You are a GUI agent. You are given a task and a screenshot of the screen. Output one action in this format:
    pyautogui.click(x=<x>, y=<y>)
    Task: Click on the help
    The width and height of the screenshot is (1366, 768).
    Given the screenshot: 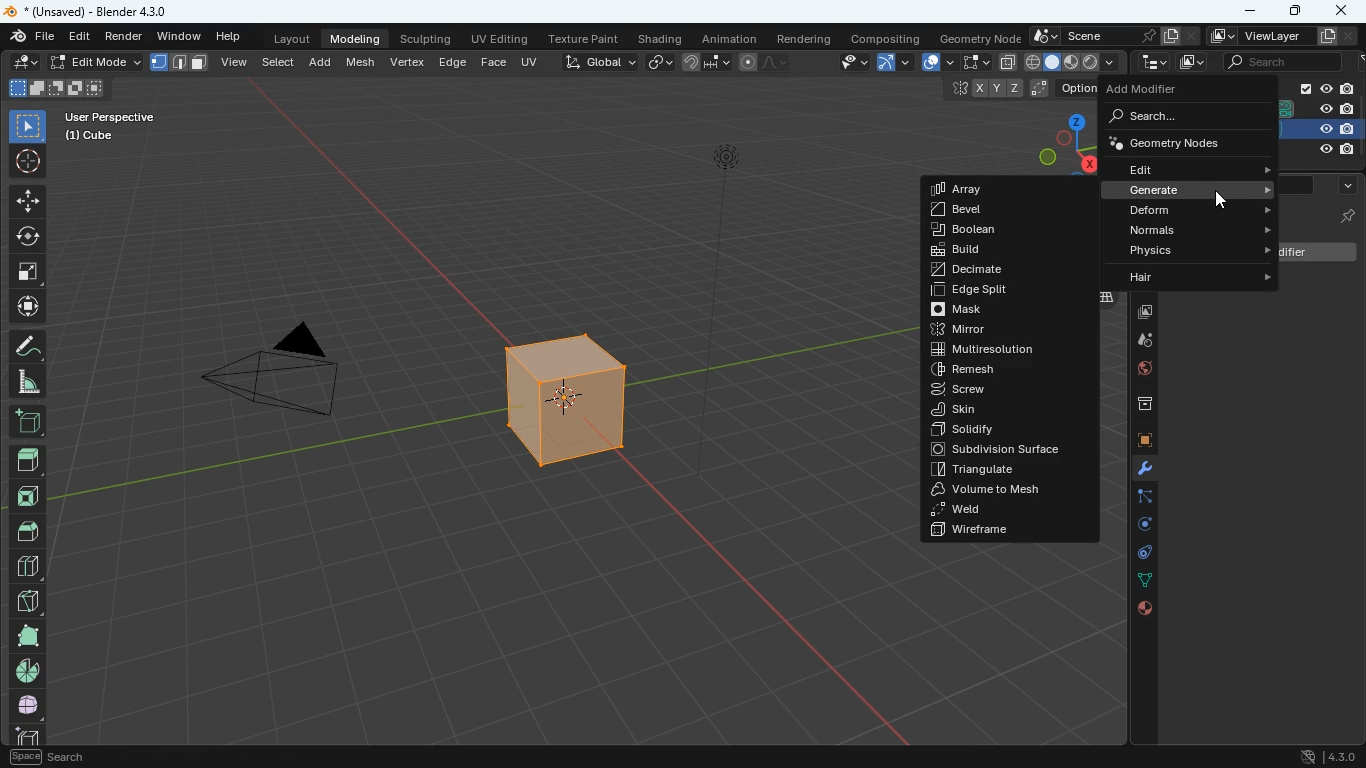 What is the action you would take?
    pyautogui.click(x=227, y=37)
    